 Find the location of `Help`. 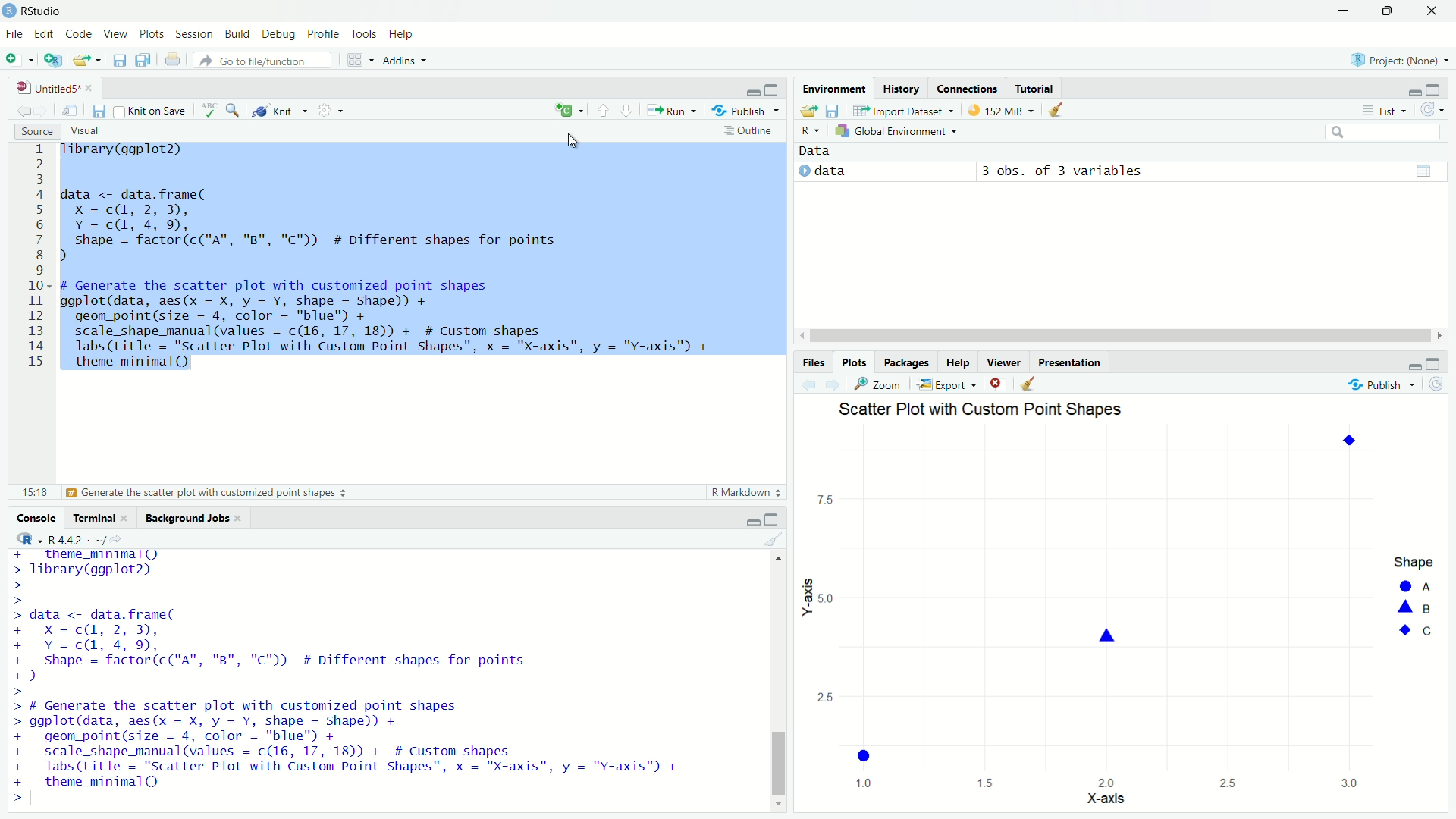

Help is located at coordinates (401, 33).